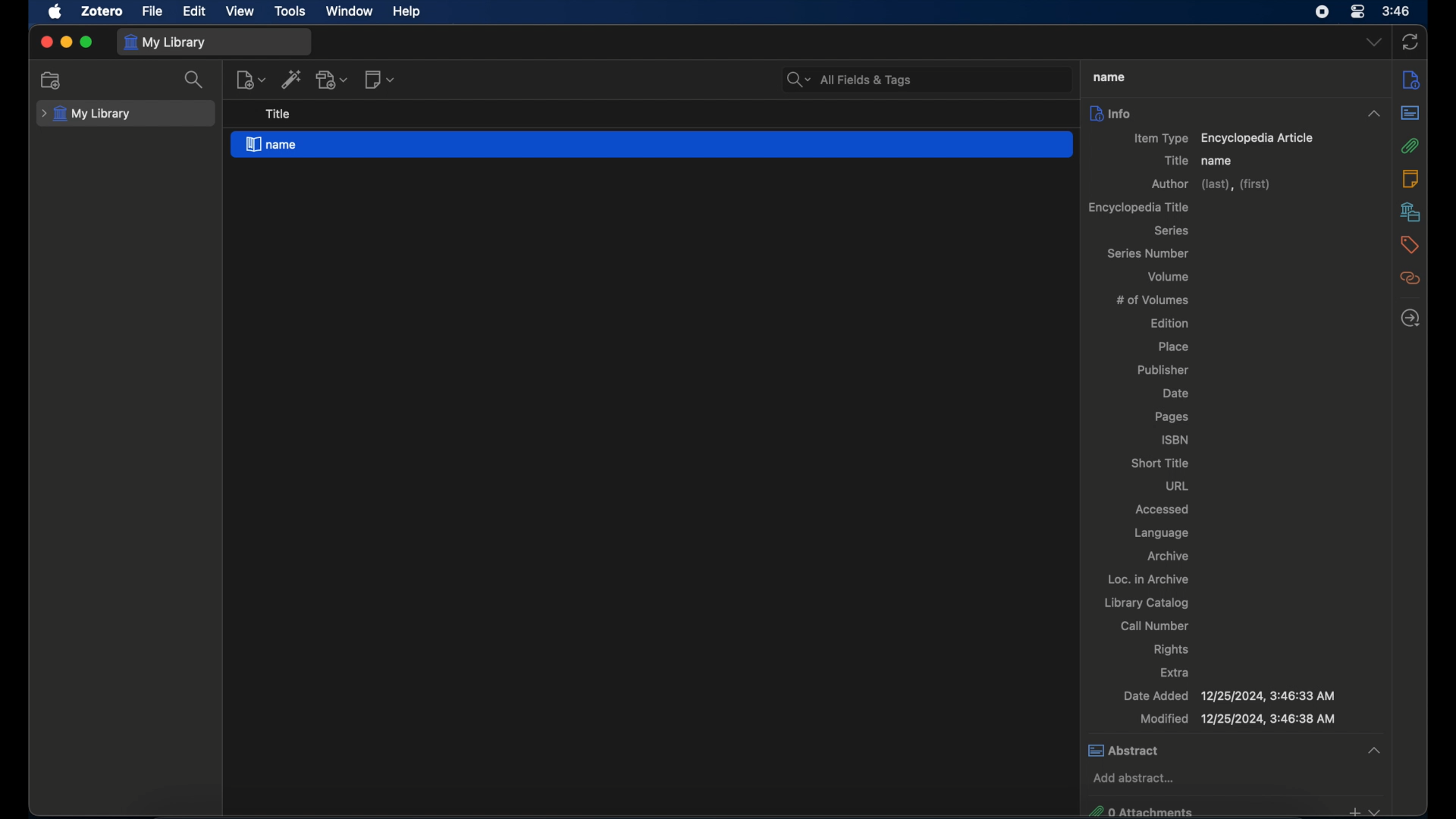 The height and width of the screenshot is (819, 1456). I want to click on edition, so click(1172, 322).